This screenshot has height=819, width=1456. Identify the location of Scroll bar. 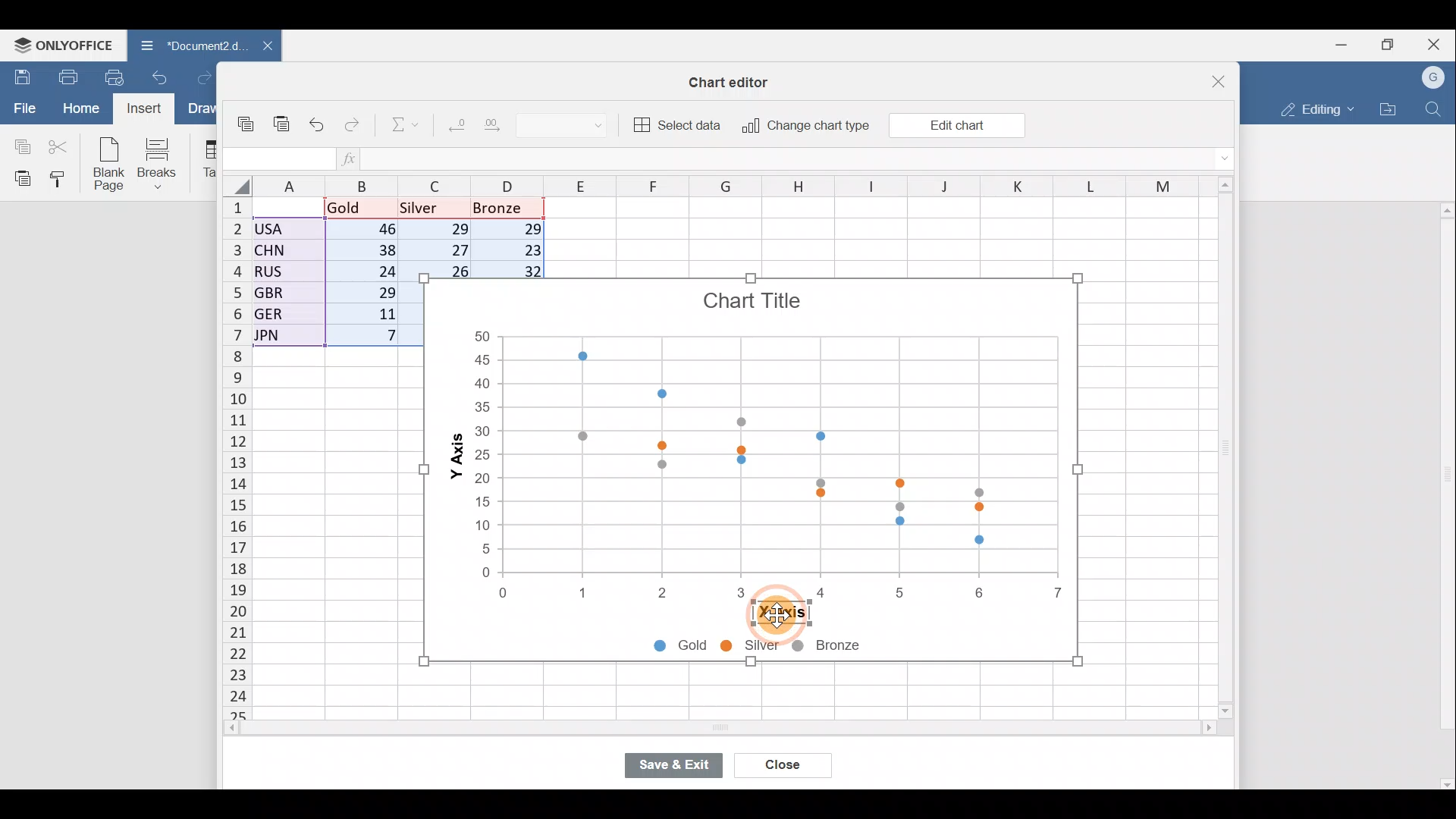
(1220, 449).